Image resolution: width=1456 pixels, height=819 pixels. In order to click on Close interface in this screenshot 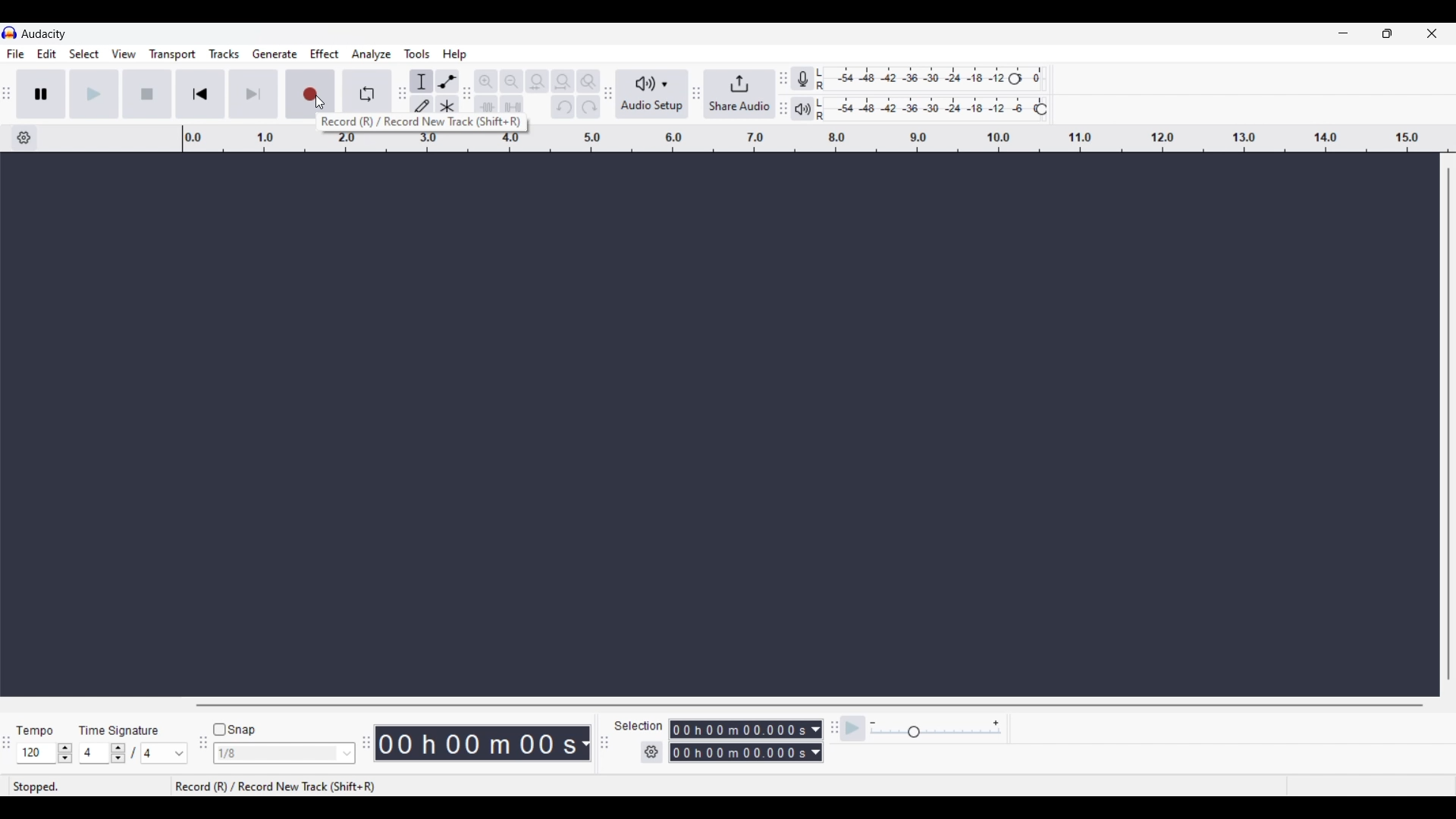, I will do `click(1432, 33)`.